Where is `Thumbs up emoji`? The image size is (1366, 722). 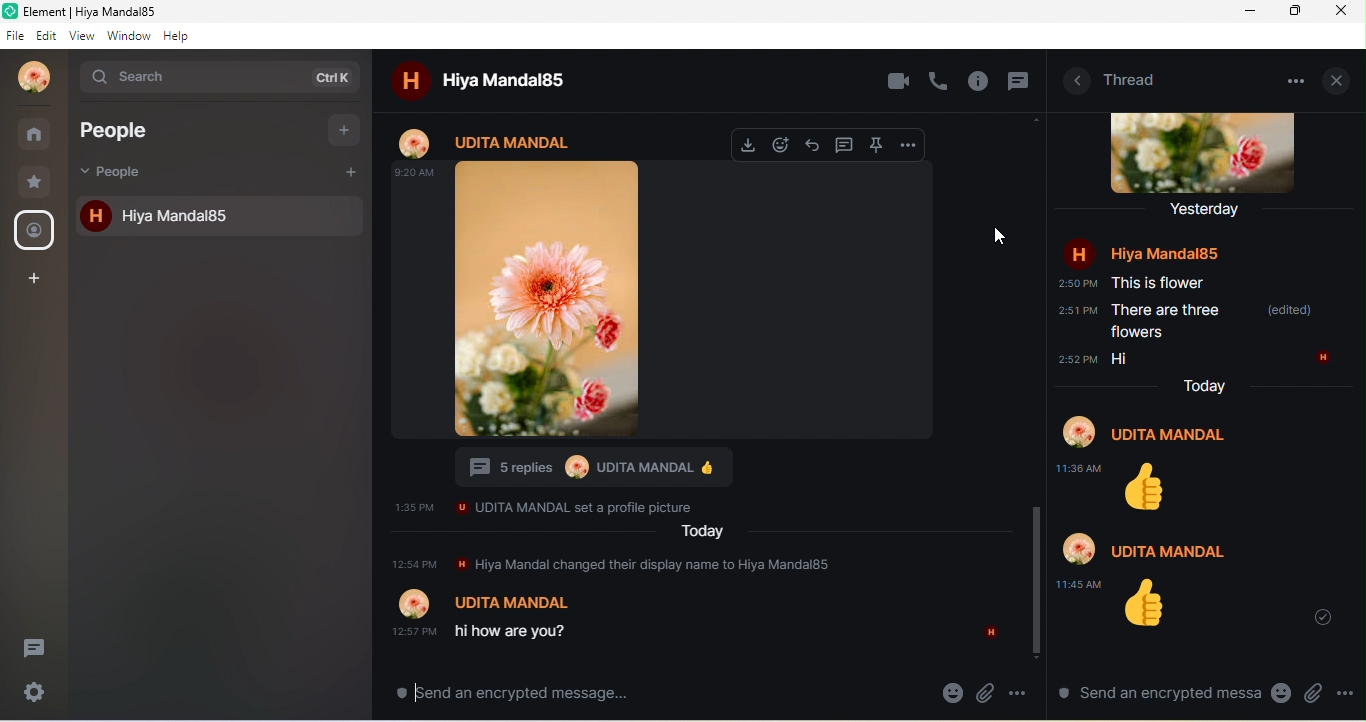
Thumbs up emoji is located at coordinates (710, 468).